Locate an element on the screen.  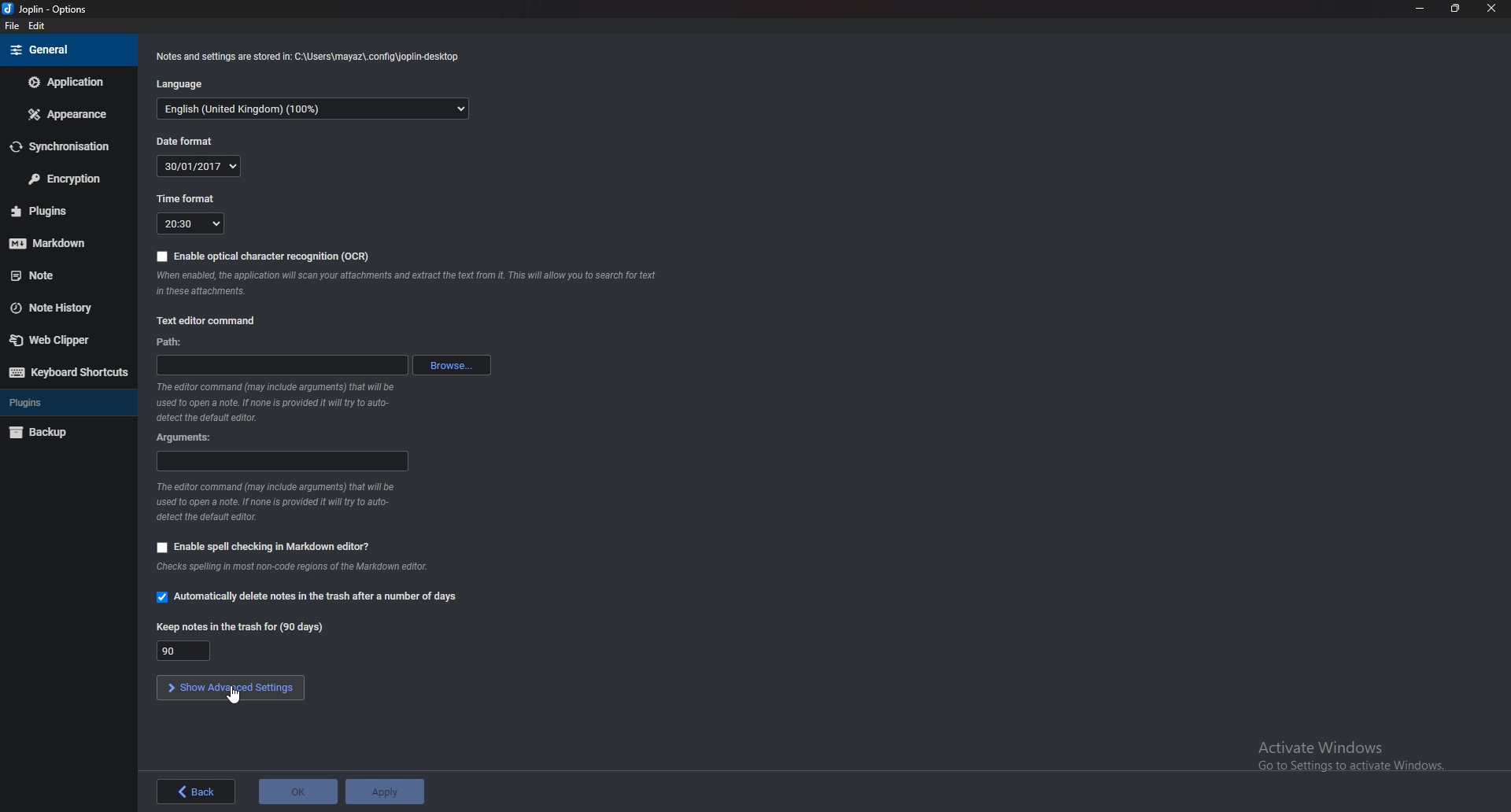
edit is located at coordinates (37, 27).